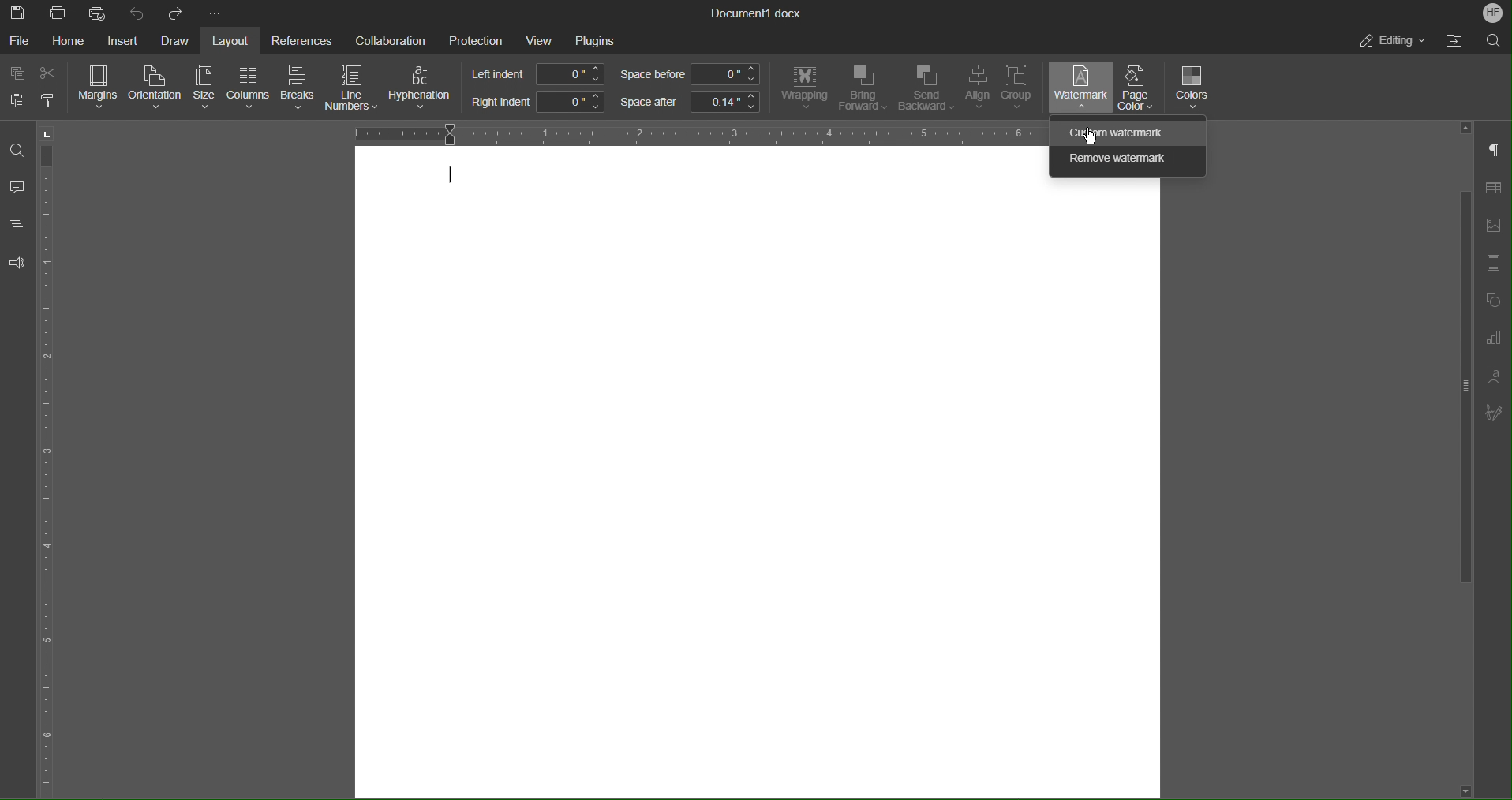  What do you see at coordinates (137, 13) in the screenshot?
I see `Undo` at bounding box center [137, 13].